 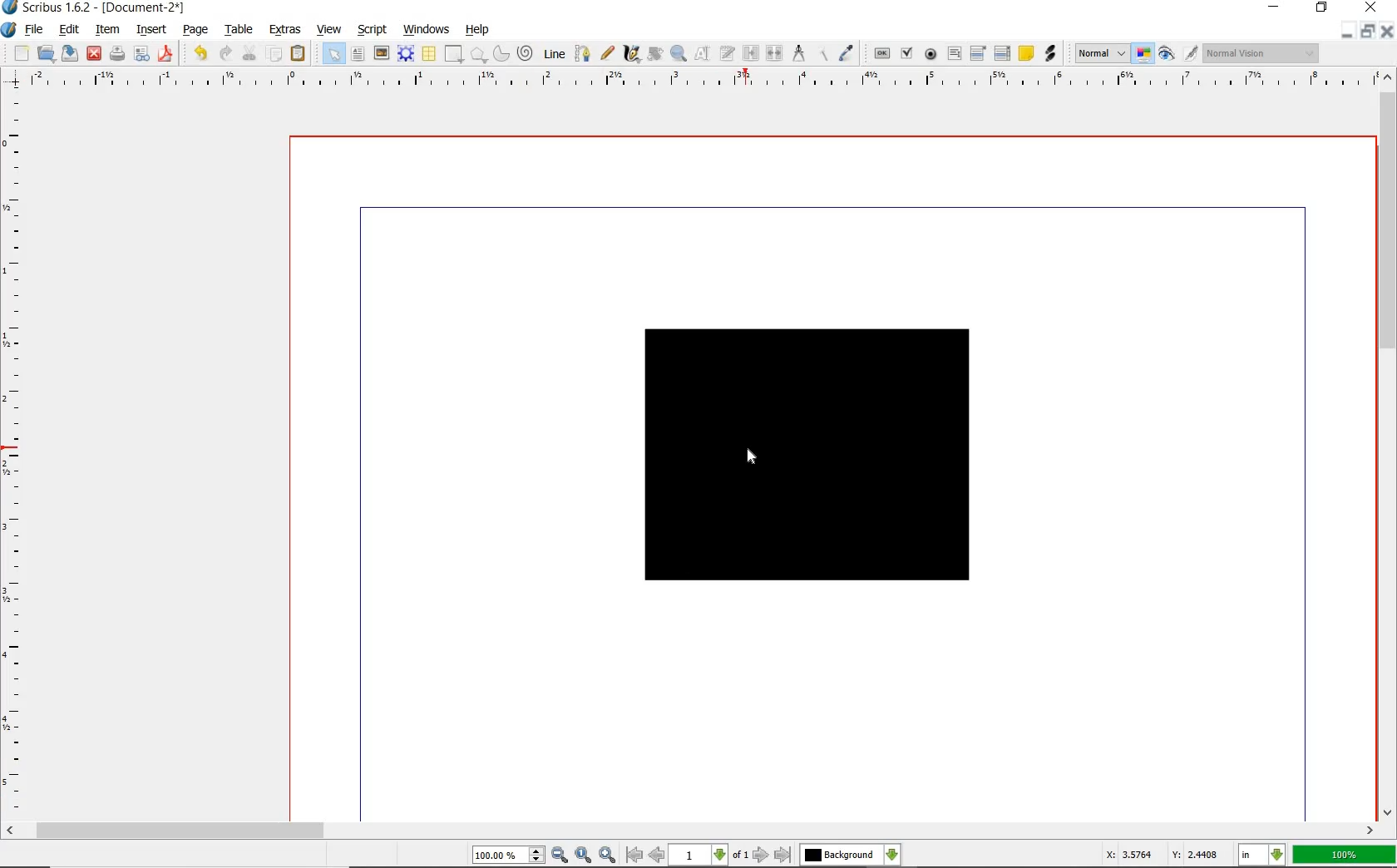 I want to click on text frame, so click(x=360, y=53).